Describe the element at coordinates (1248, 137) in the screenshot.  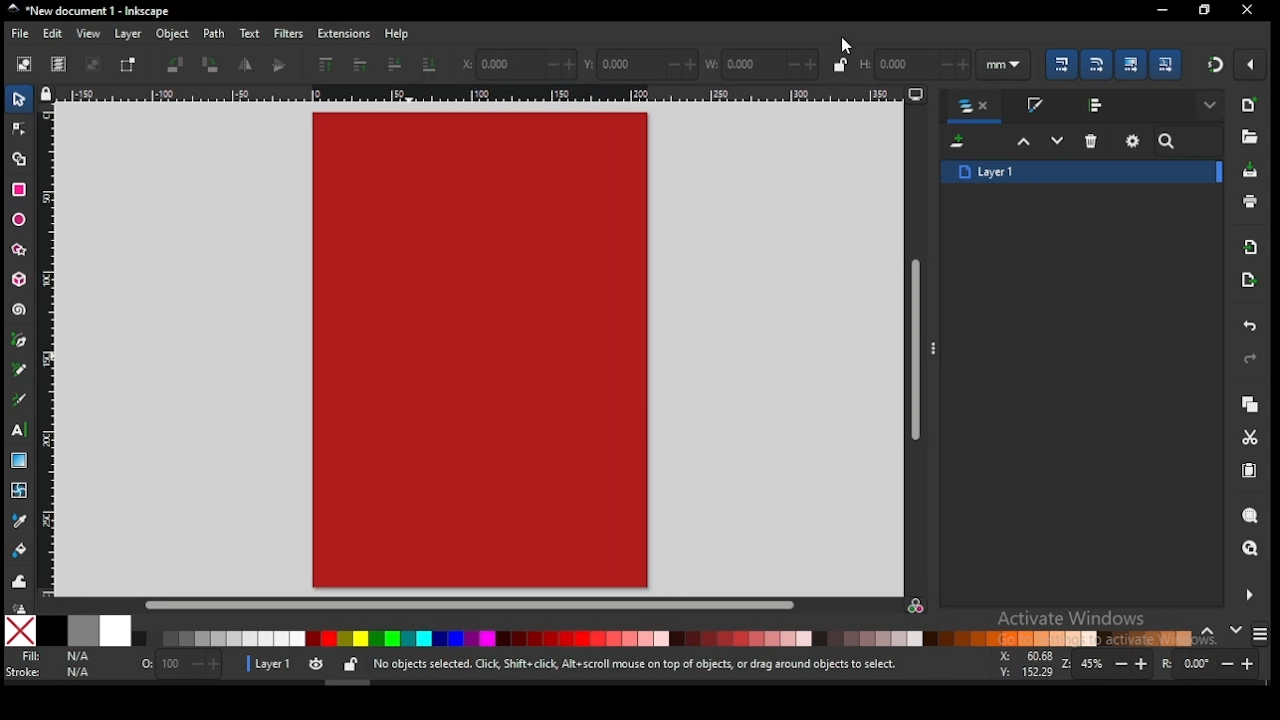
I see `open` at that location.